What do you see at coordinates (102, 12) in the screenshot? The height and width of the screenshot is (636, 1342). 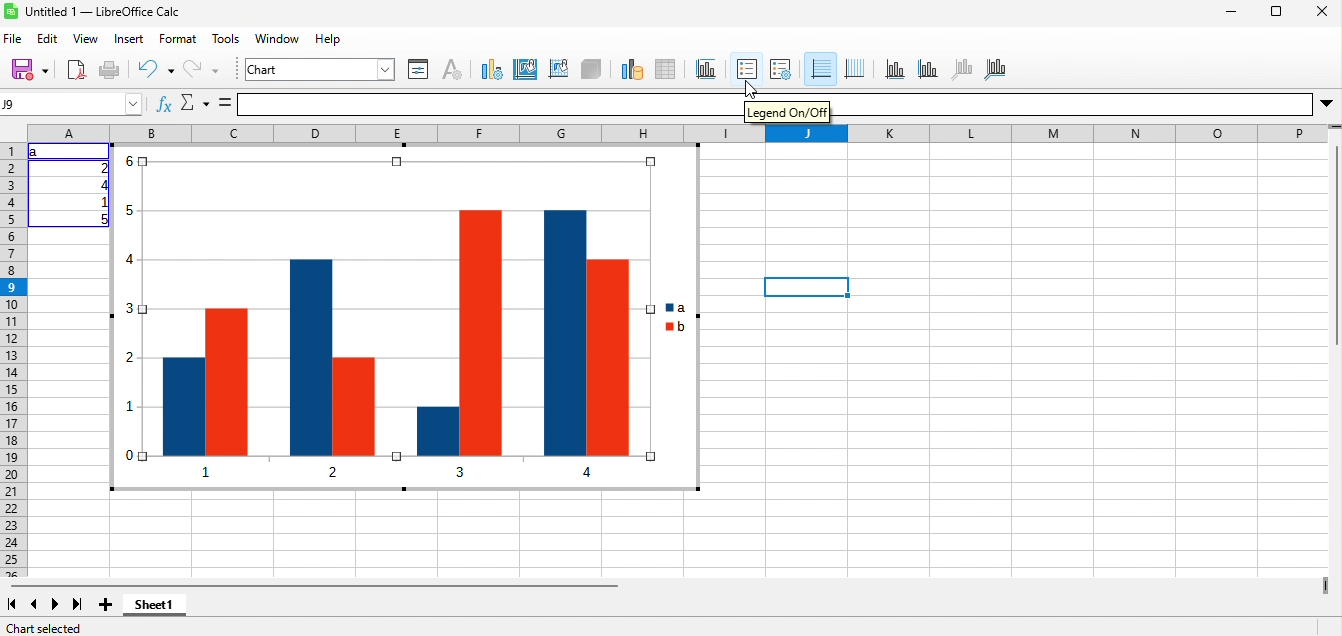 I see `Untitled 1 — LibreOffice Calc` at bounding box center [102, 12].